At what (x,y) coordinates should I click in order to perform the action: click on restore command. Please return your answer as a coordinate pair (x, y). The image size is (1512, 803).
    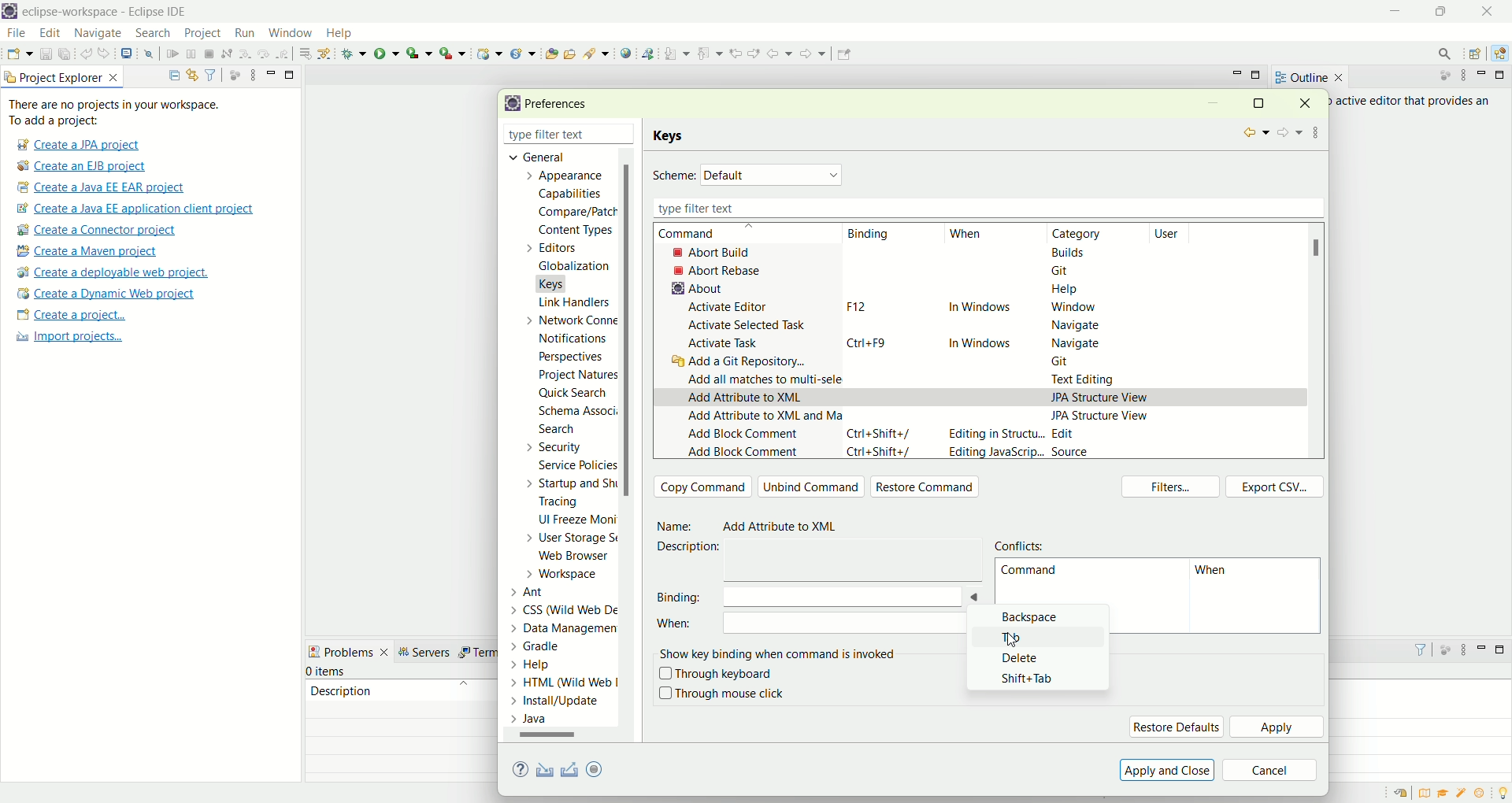
    Looking at the image, I should click on (929, 488).